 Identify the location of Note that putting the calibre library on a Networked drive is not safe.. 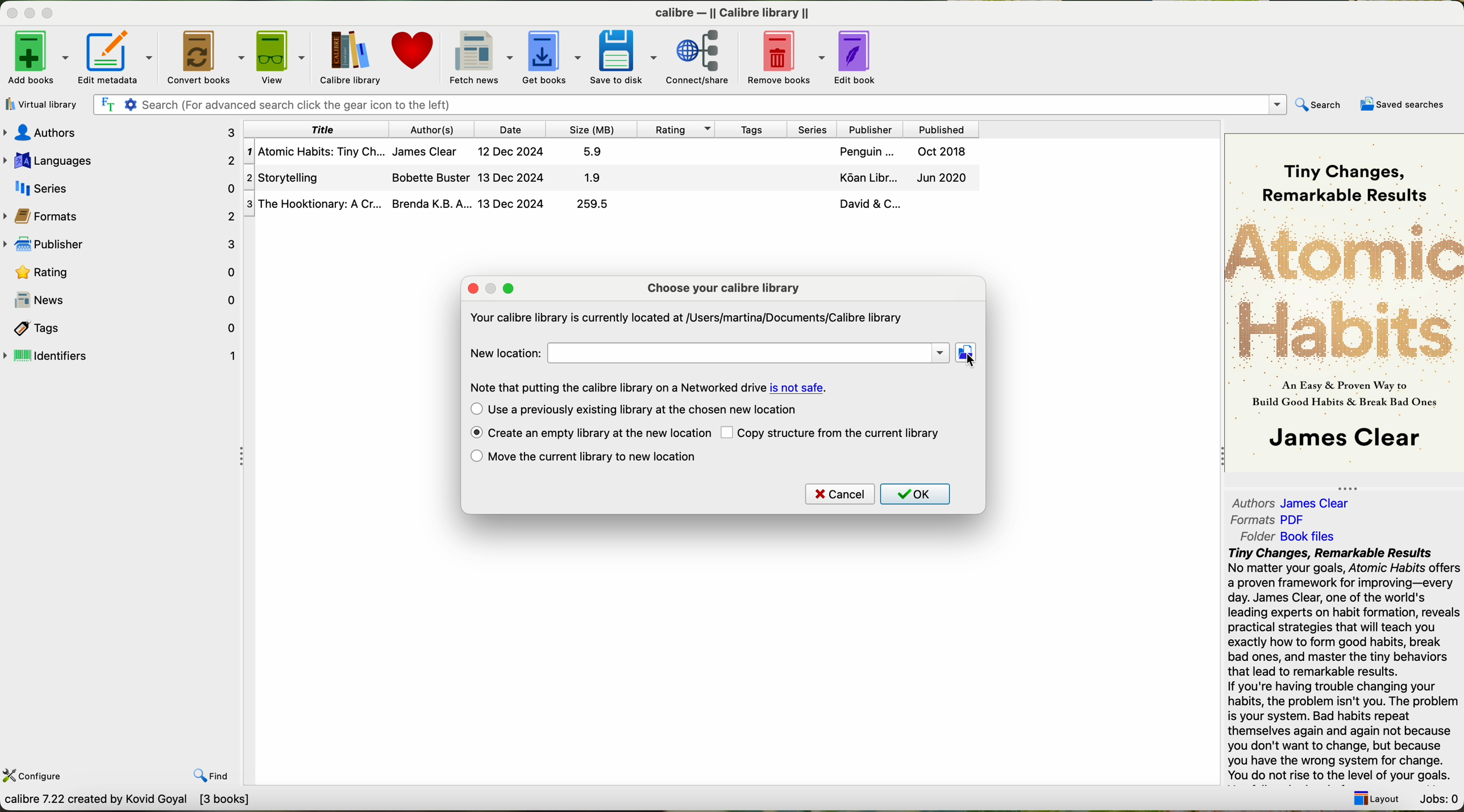
(650, 386).